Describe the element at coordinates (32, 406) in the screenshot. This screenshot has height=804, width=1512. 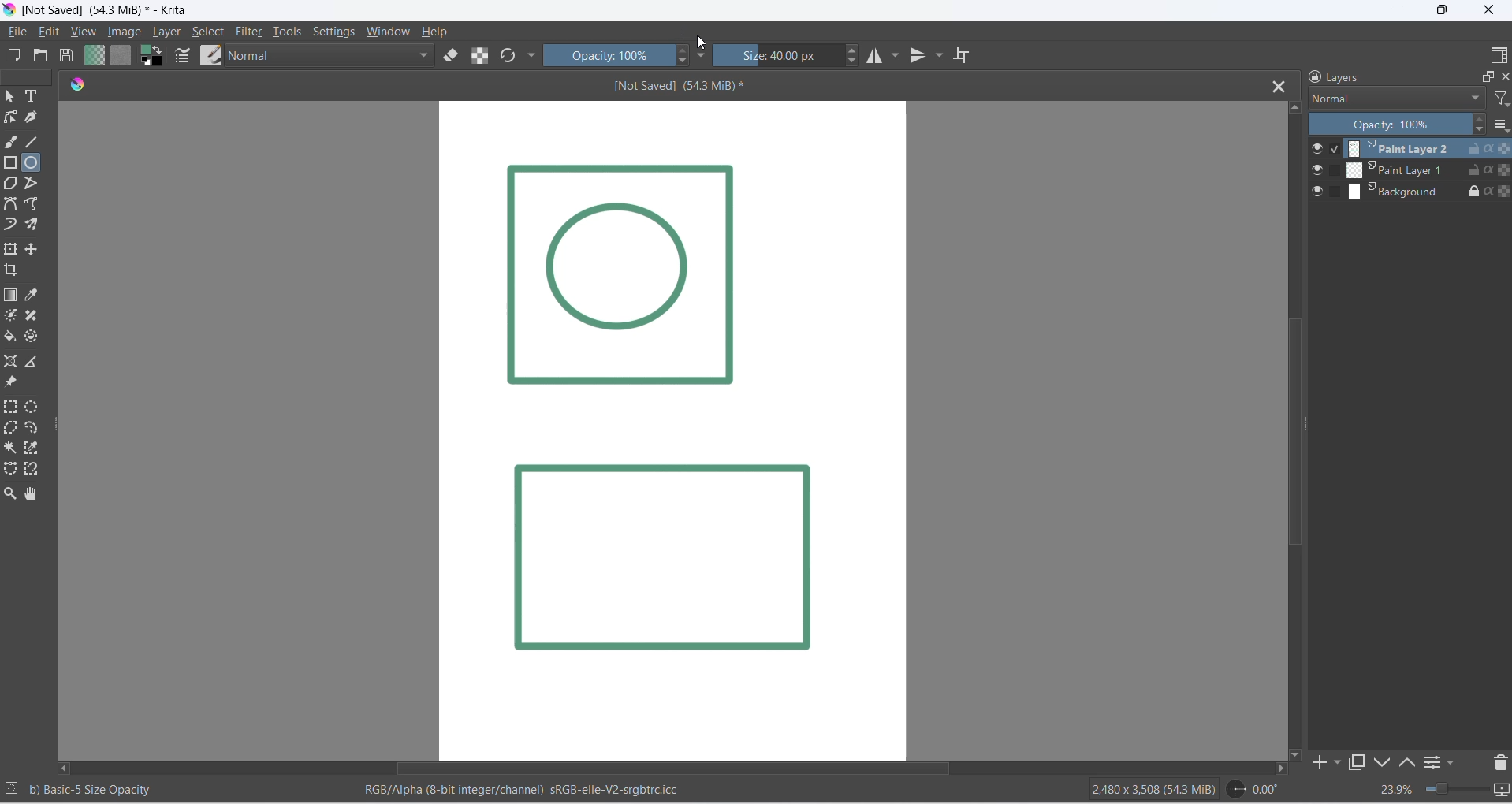
I see `elliptical selection tool` at that location.